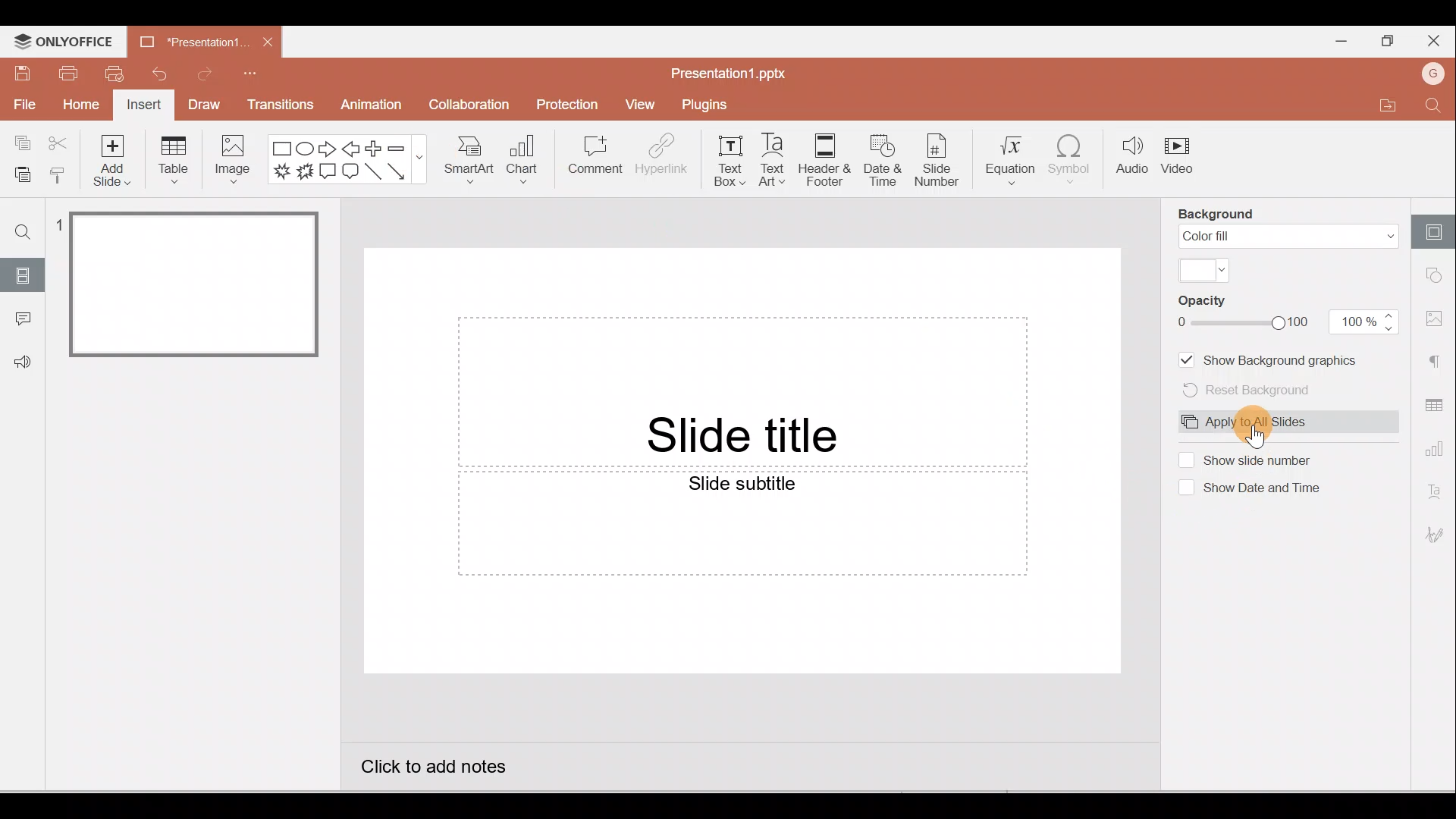 The height and width of the screenshot is (819, 1456). I want to click on Print file, so click(67, 74).